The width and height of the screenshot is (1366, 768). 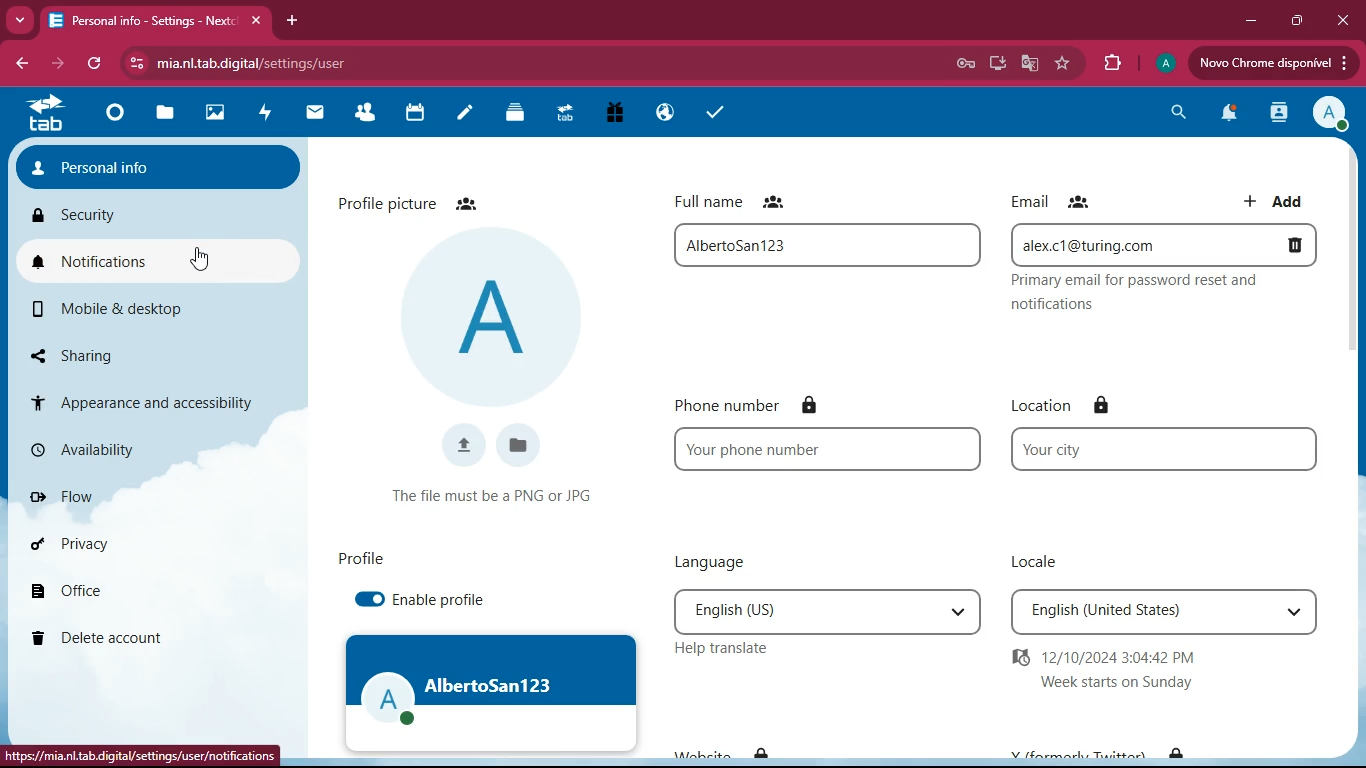 I want to click on help translate, so click(x=724, y=650).